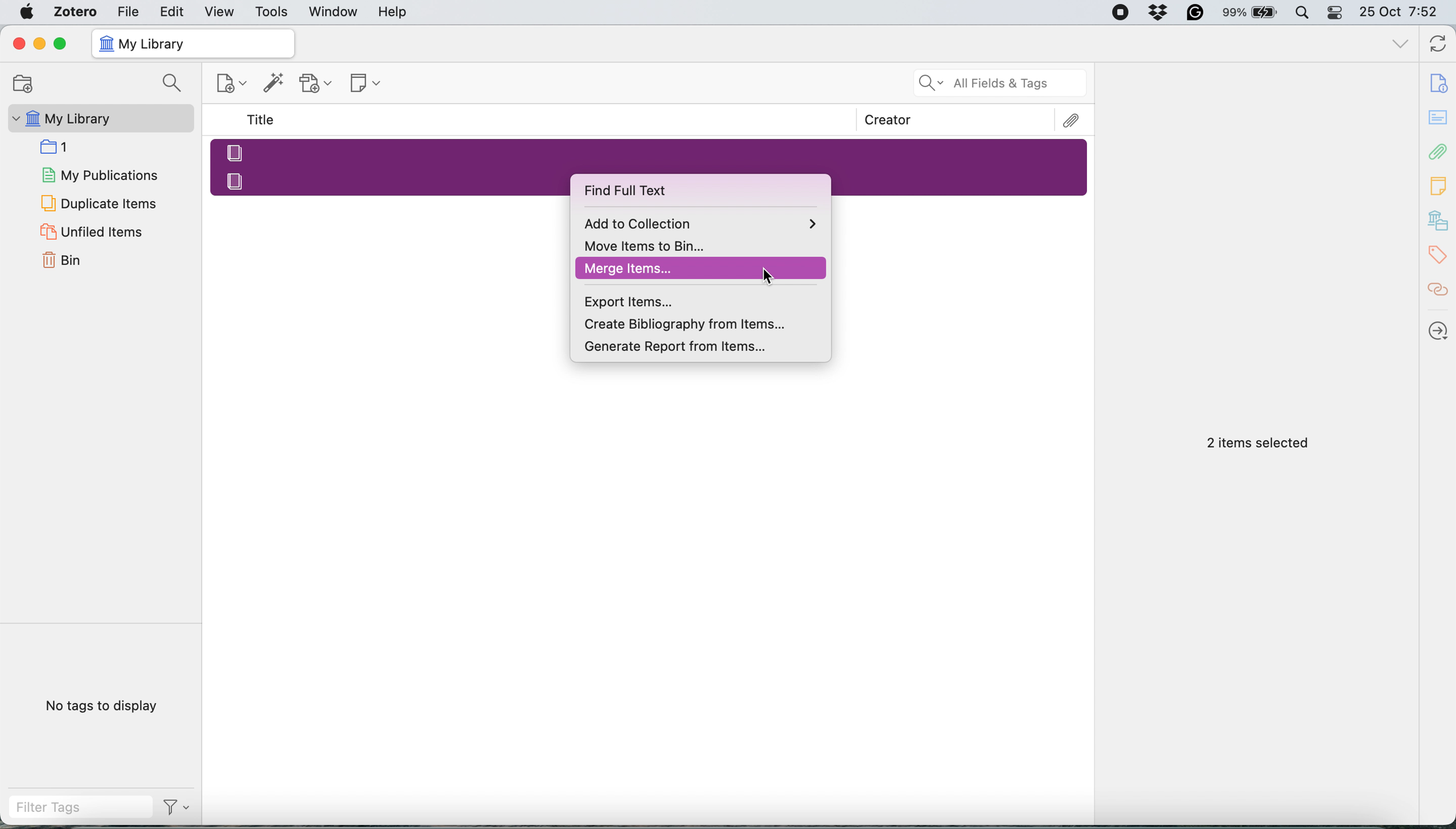 The image size is (1456, 829). Describe the element at coordinates (59, 146) in the screenshot. I see `1` at that location.